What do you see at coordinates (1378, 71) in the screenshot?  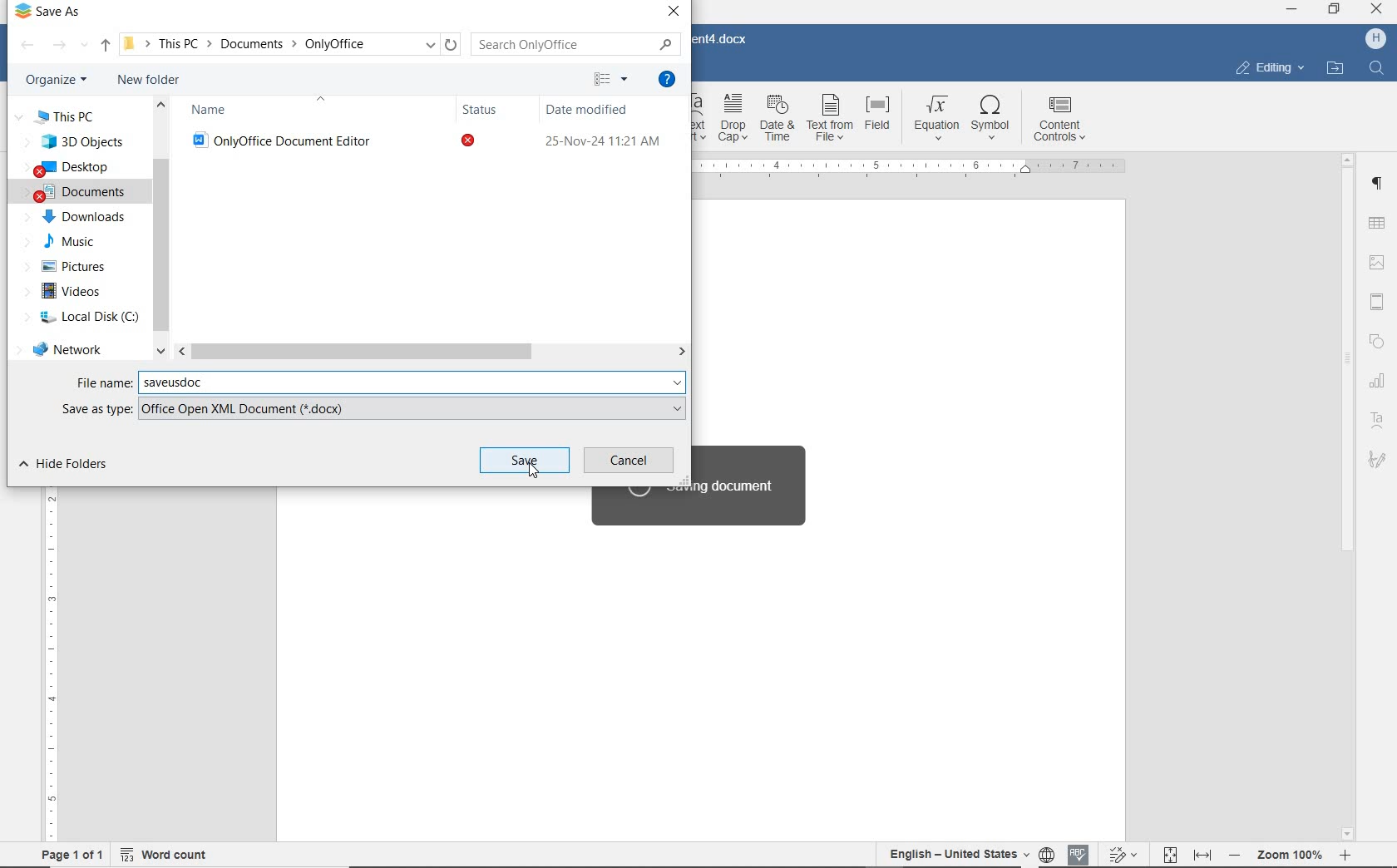 I see `find` at bounding box center [1378, 71].